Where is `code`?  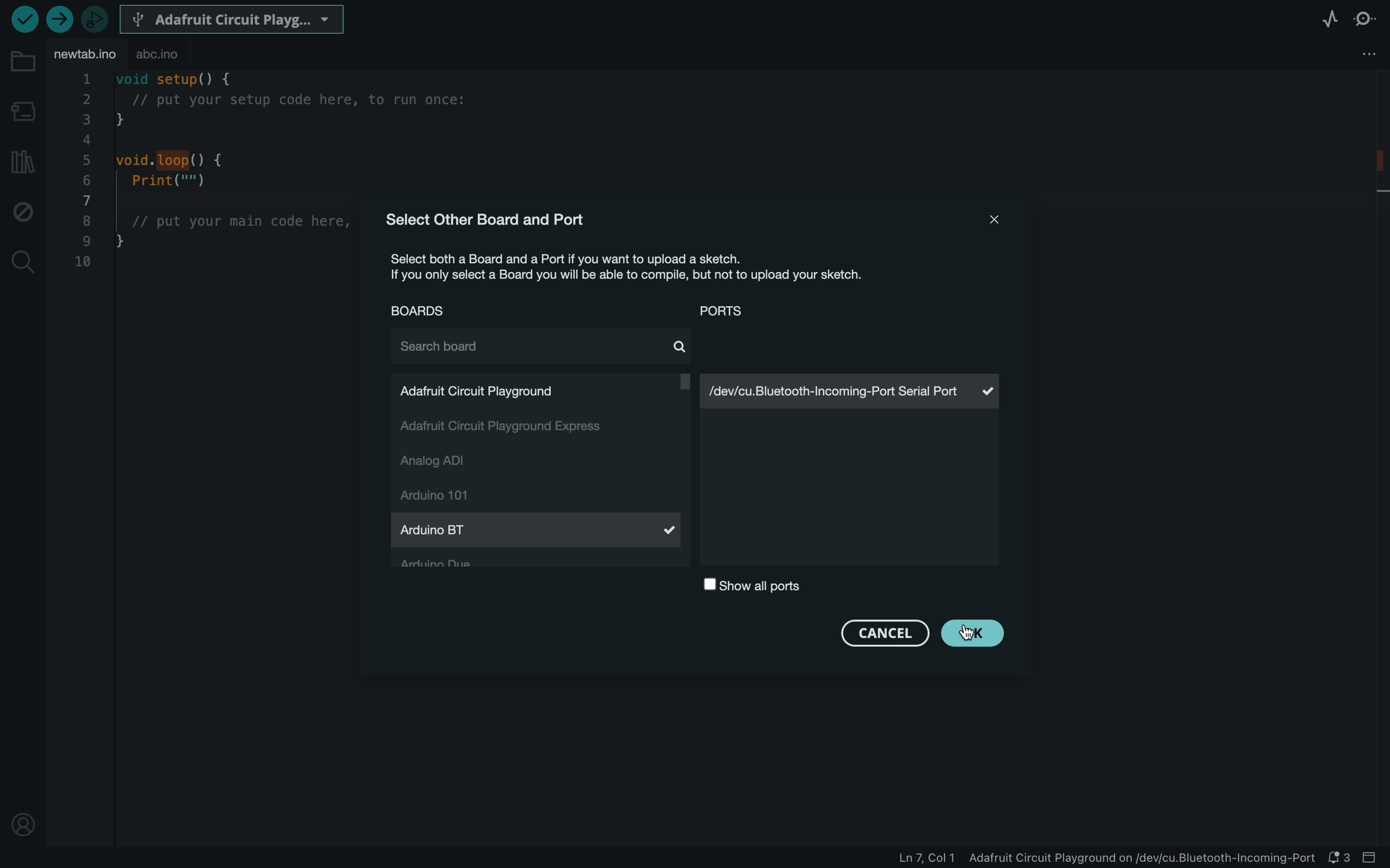
code is located at coordinates (214, 177).